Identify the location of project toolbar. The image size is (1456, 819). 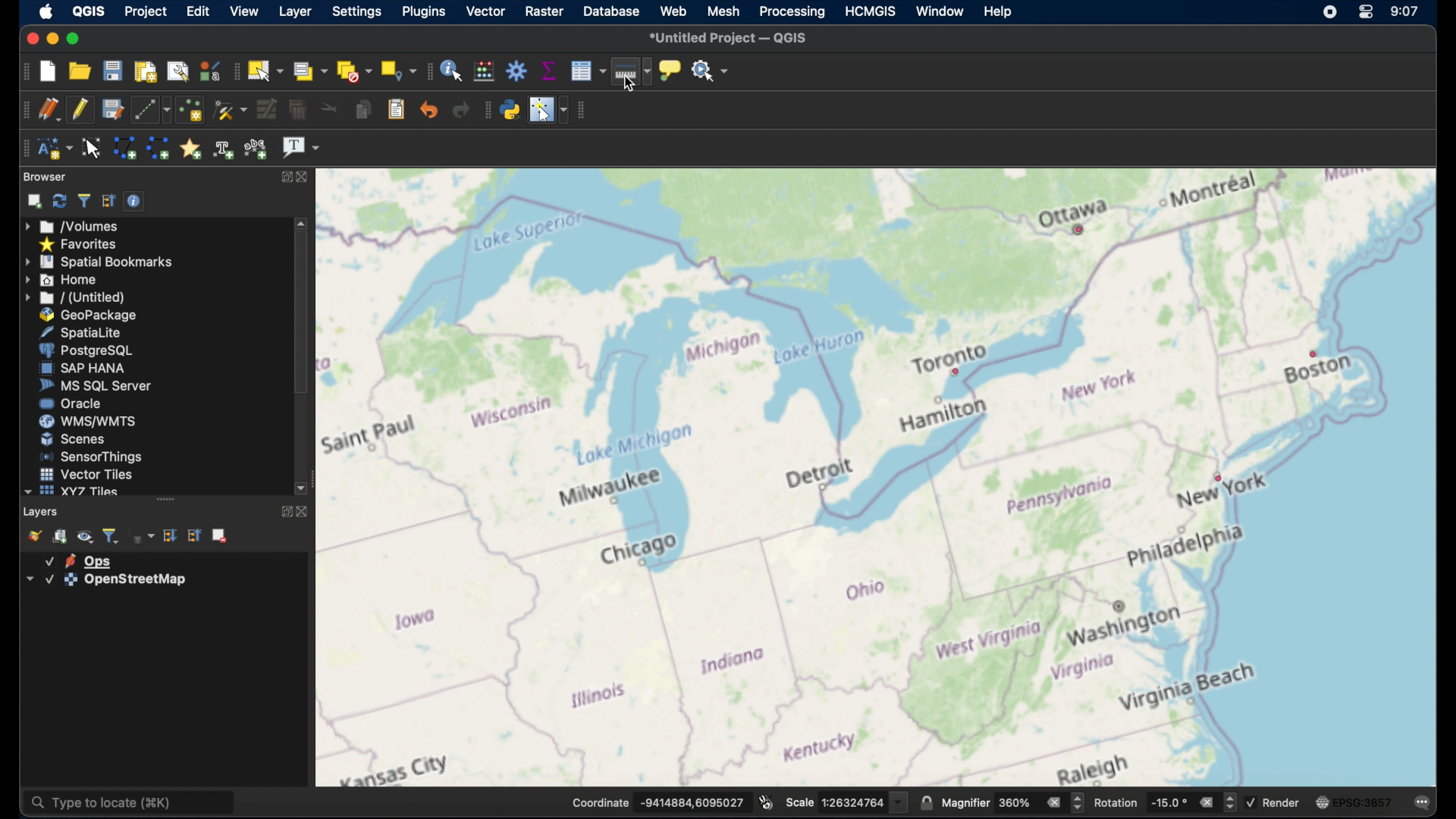
(20, 71).